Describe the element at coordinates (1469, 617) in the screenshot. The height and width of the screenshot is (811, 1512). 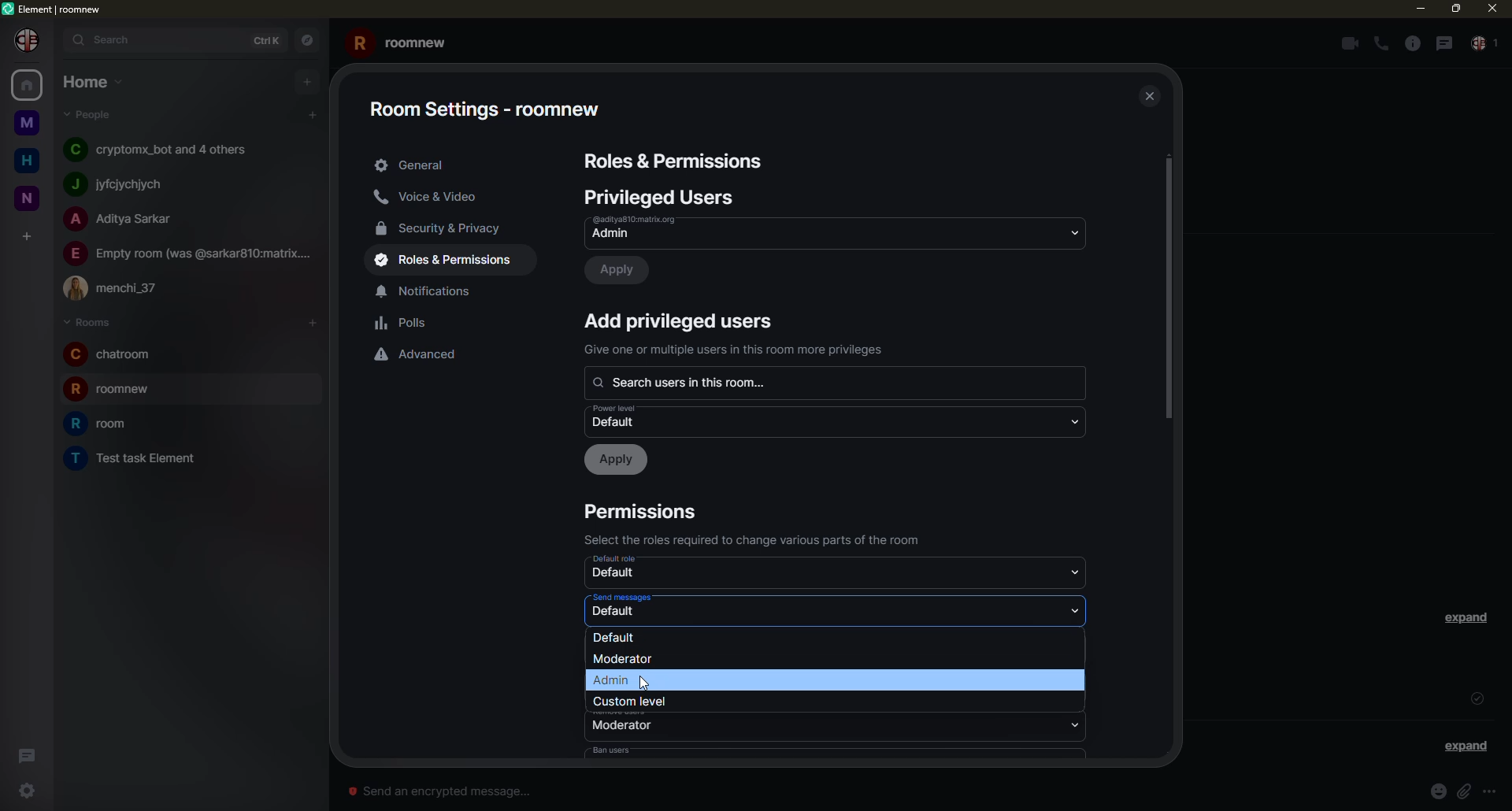
I see `expand` at that location.